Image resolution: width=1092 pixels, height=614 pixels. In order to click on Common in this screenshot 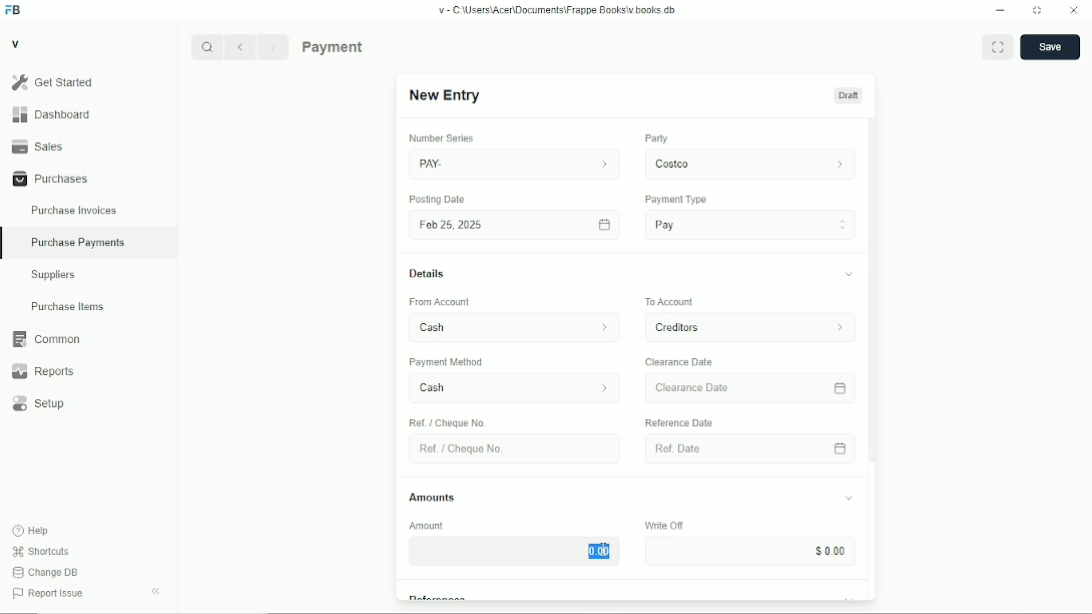, I will do `click(89, 339)`.